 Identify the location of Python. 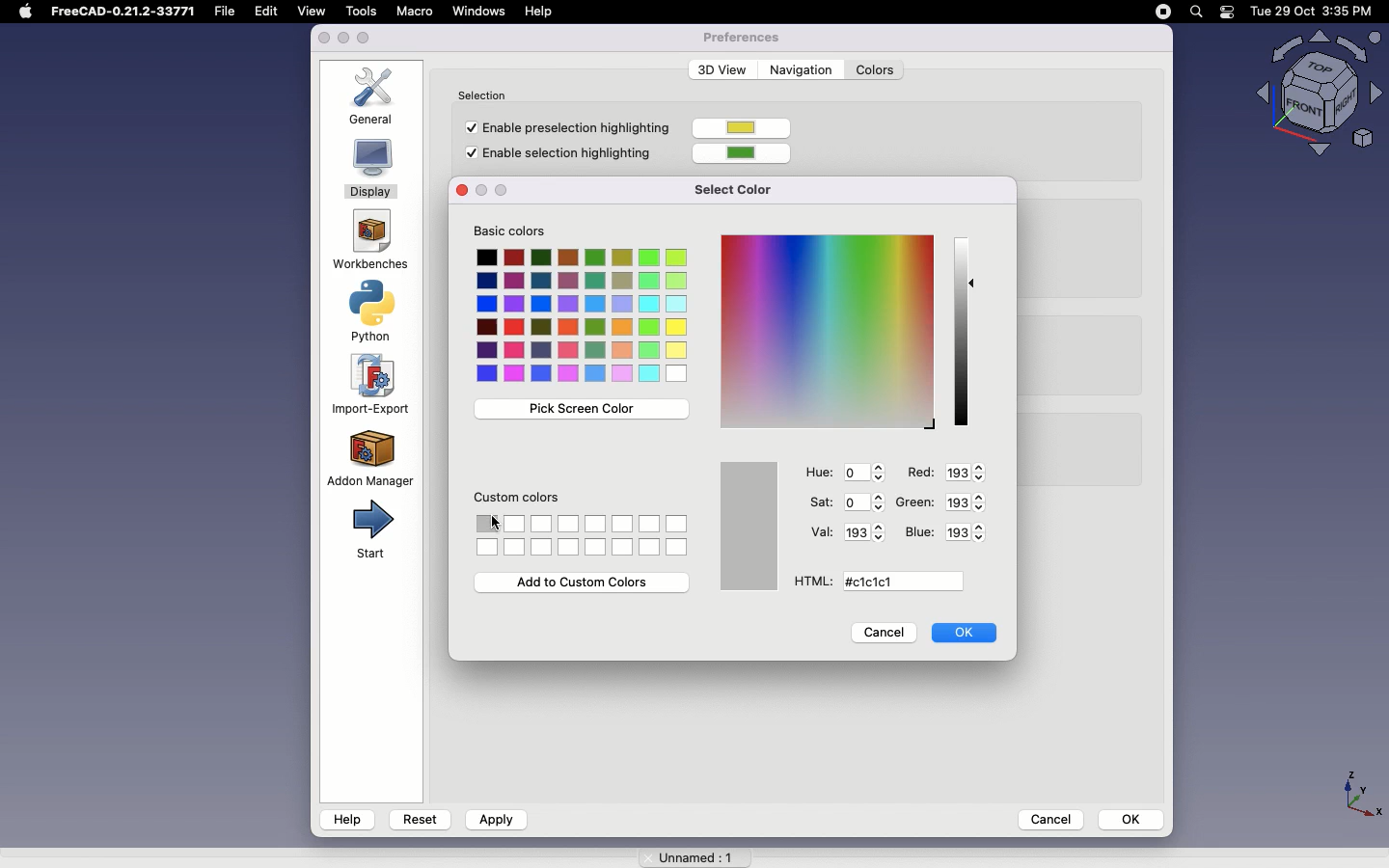
(376, 312).